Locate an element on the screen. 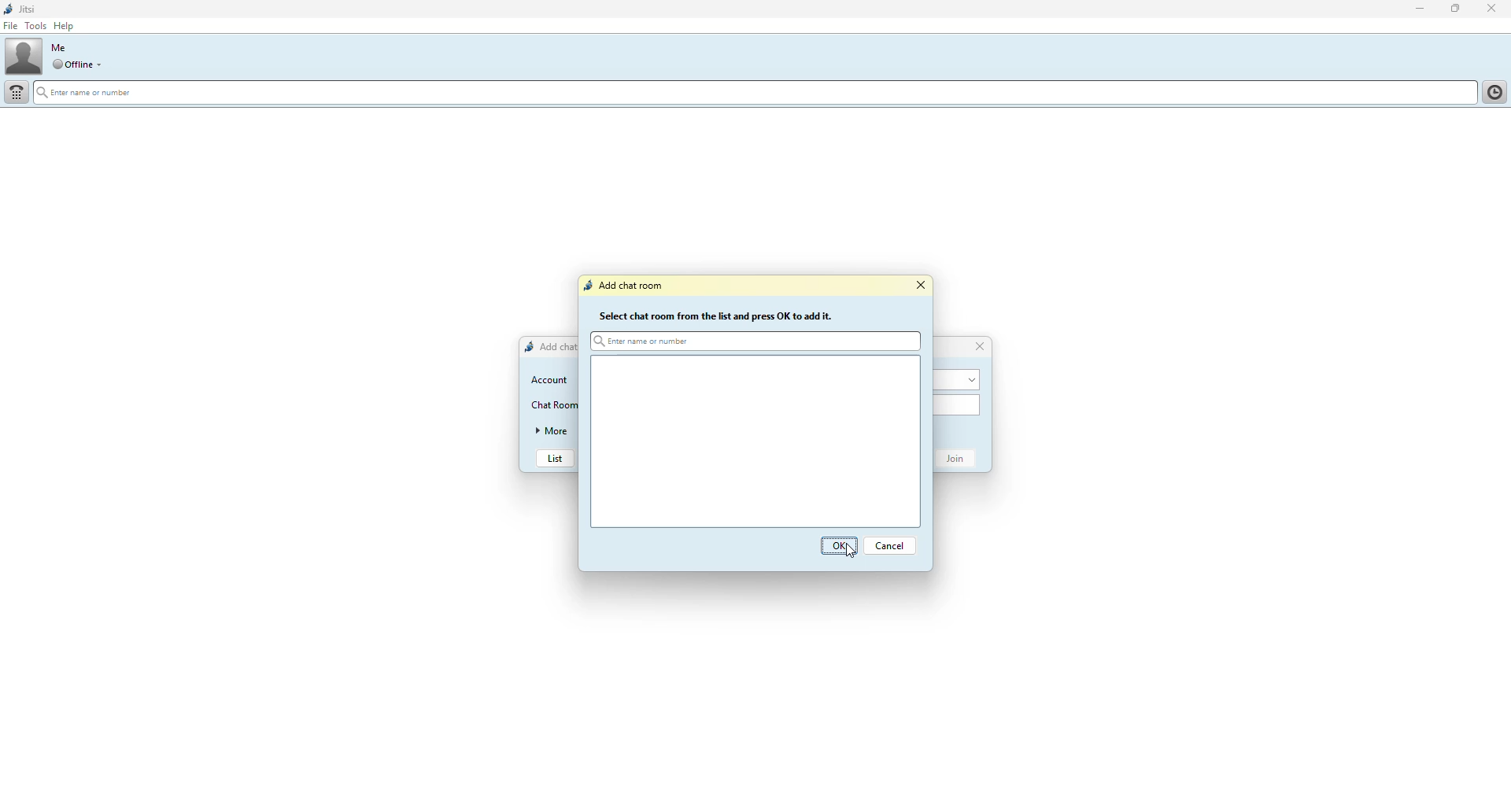  drop down is located at coordinates (103, 65).